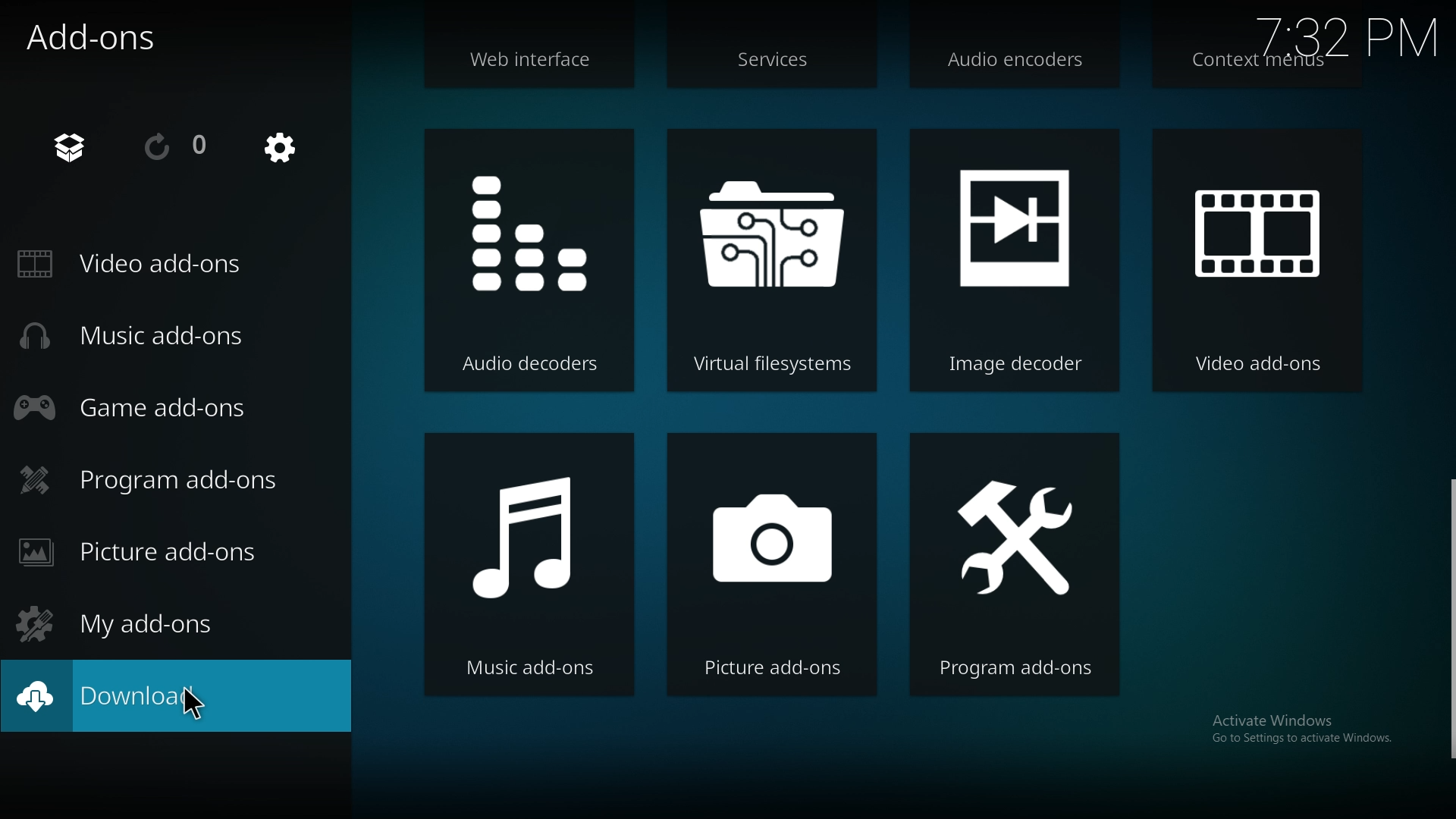 This screenshot has width=1456, height=819. I want to click on installed, so click(79, 146).